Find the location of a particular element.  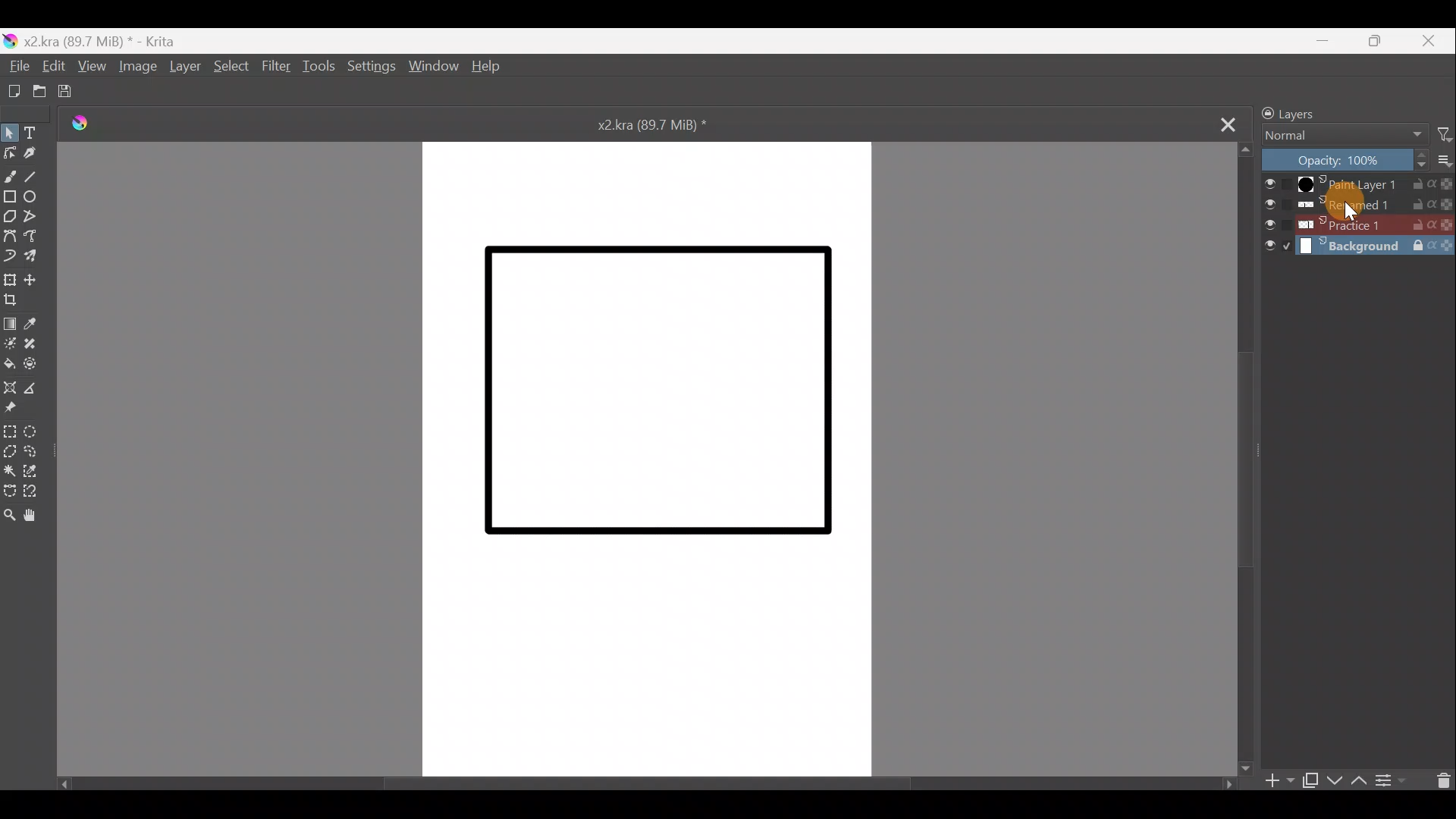

Zoom tool is located at coordinates (9, 511).